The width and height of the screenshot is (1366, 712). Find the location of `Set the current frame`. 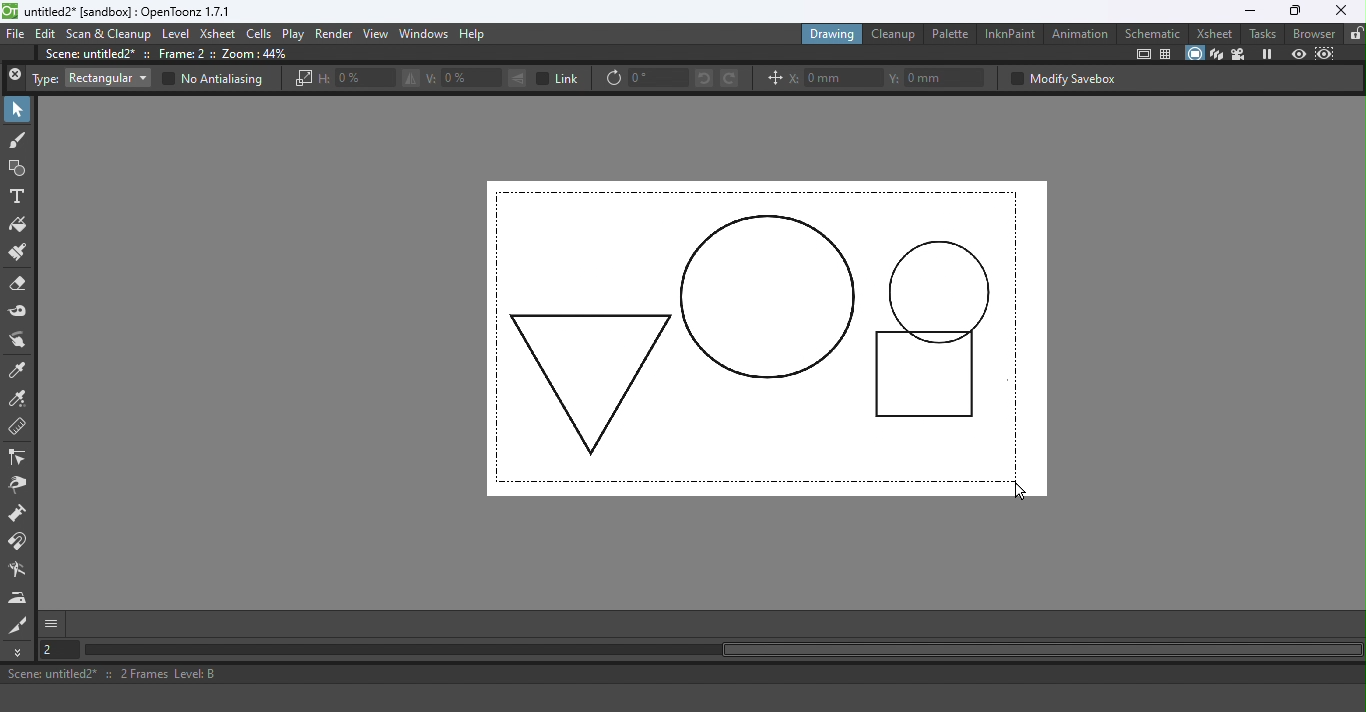

Set the current frame is located at coordinates (62, 651).